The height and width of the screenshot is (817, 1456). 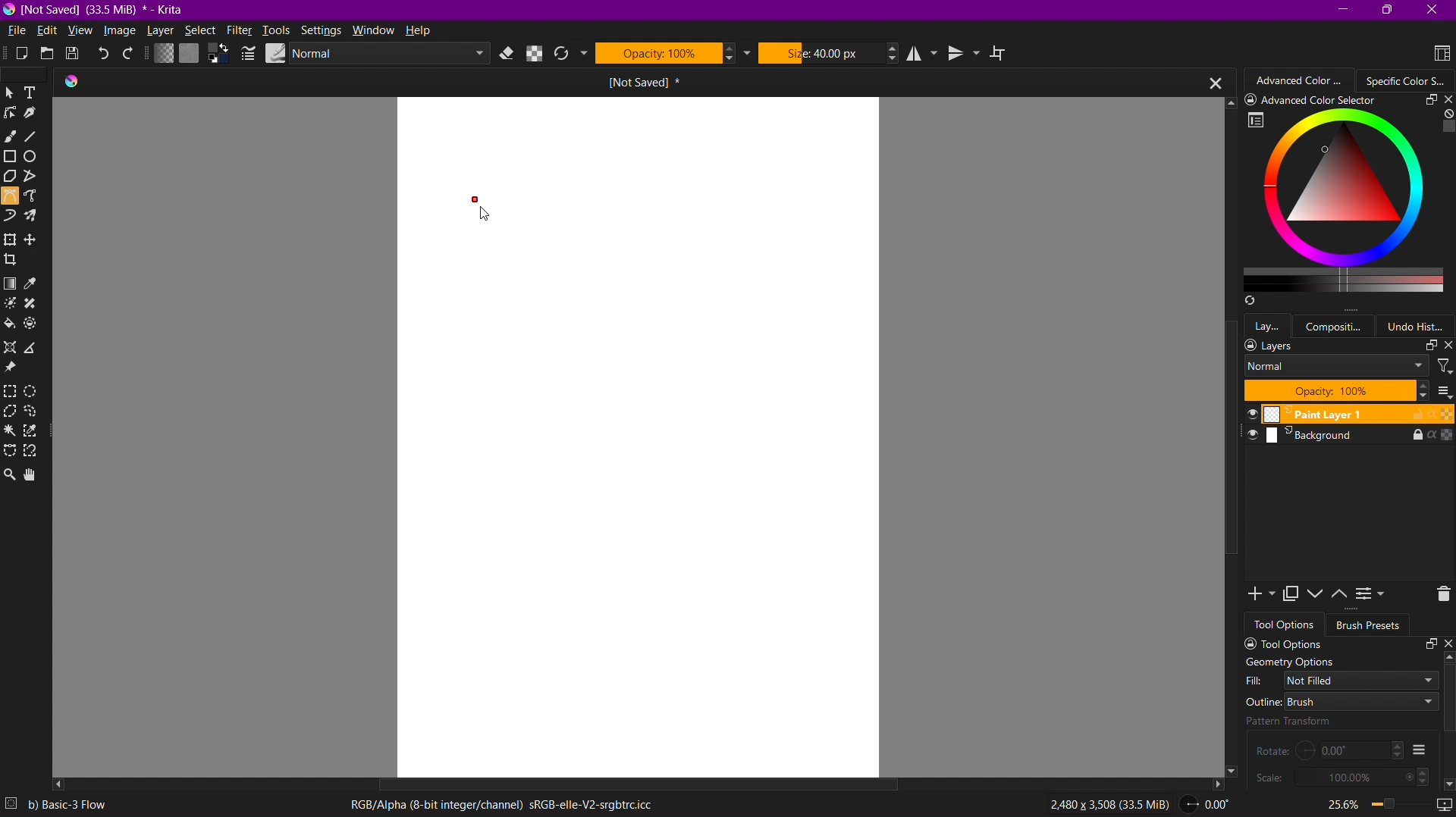 I want to click on Choose Workspace, so click(x=1436, y=52).